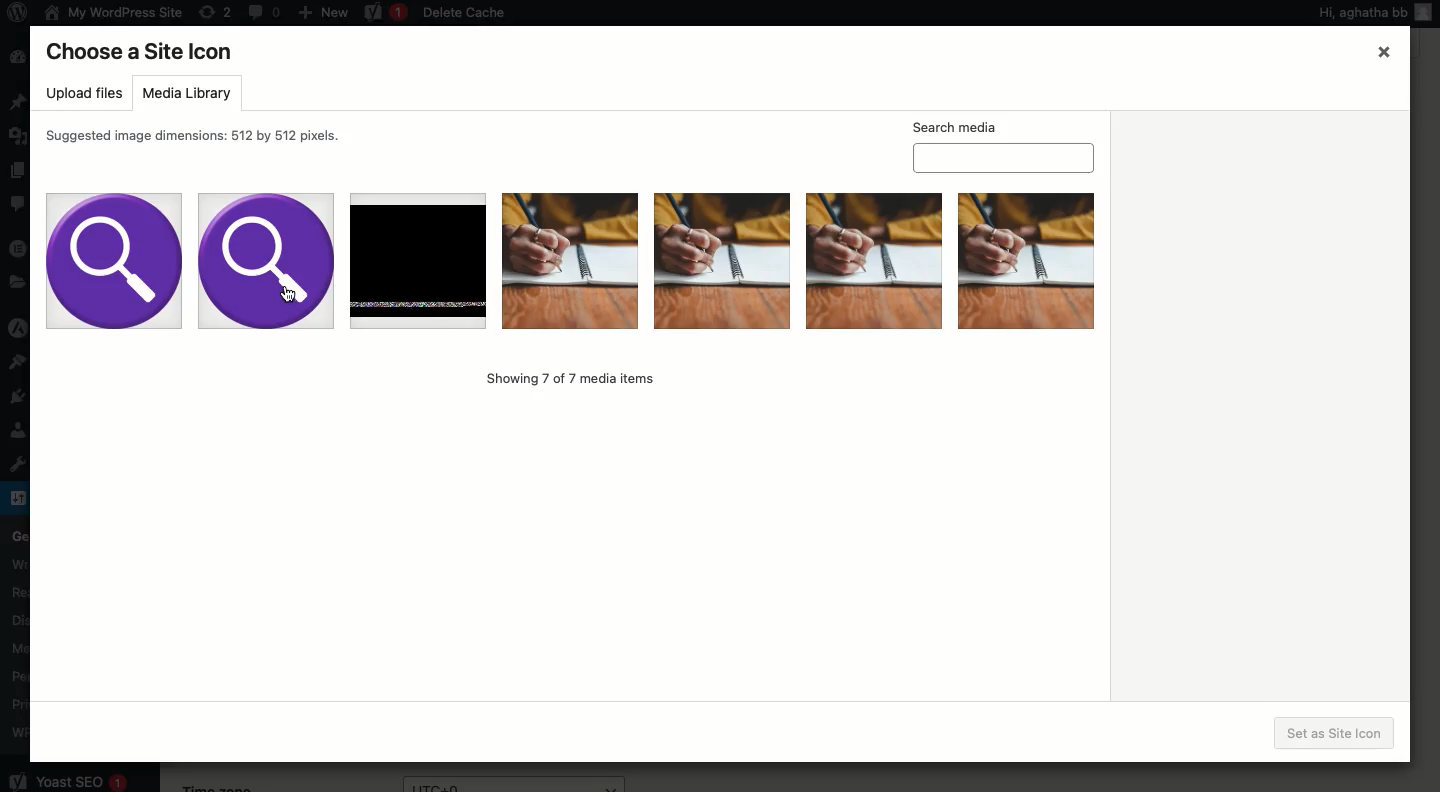  Describe the element at coordinates (383, 13) in the screenshot. I see `Yoast 1` at that location.